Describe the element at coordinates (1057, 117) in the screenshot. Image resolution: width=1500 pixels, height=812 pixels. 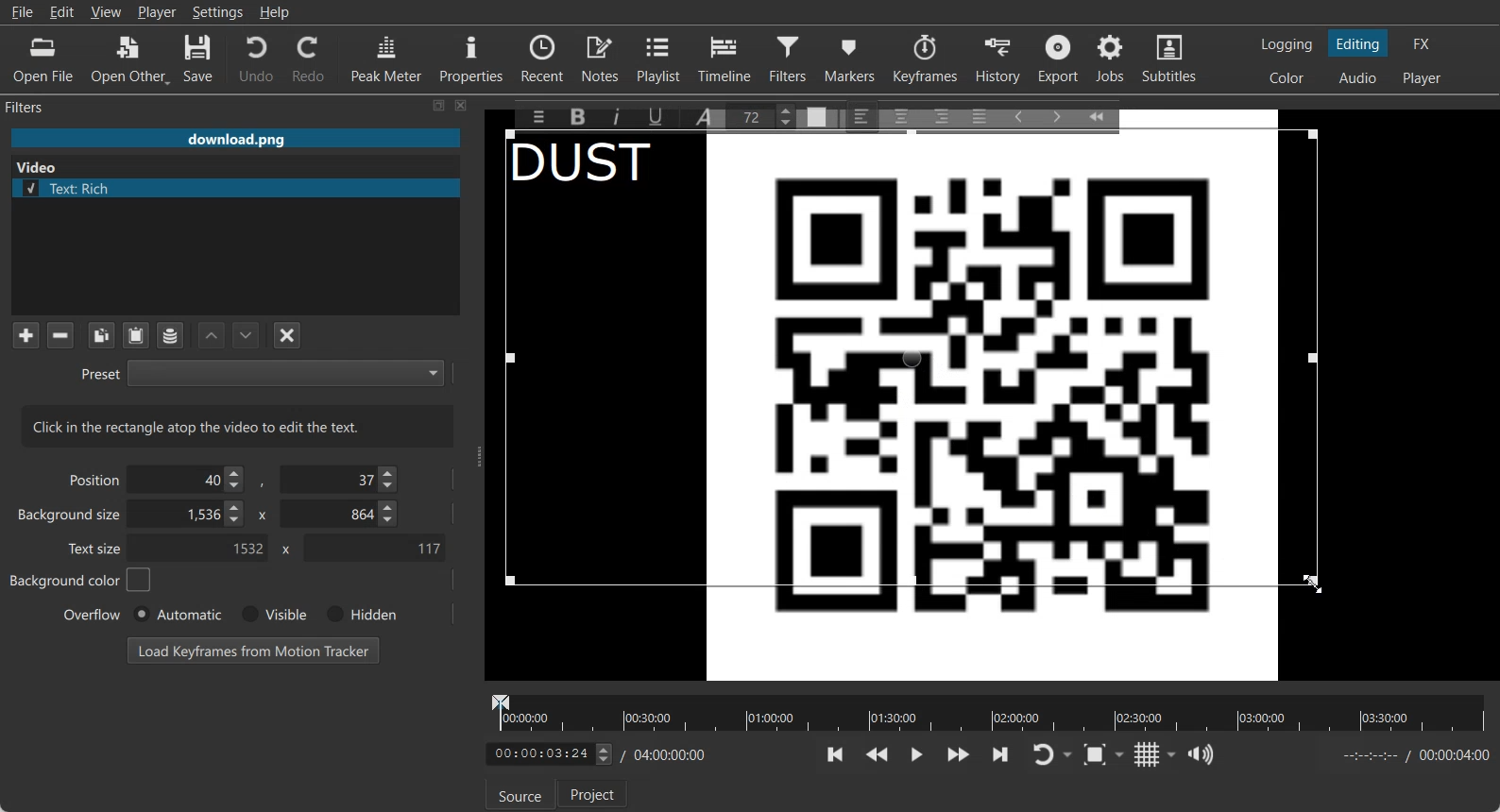
I see `Insert Indent` at that location.